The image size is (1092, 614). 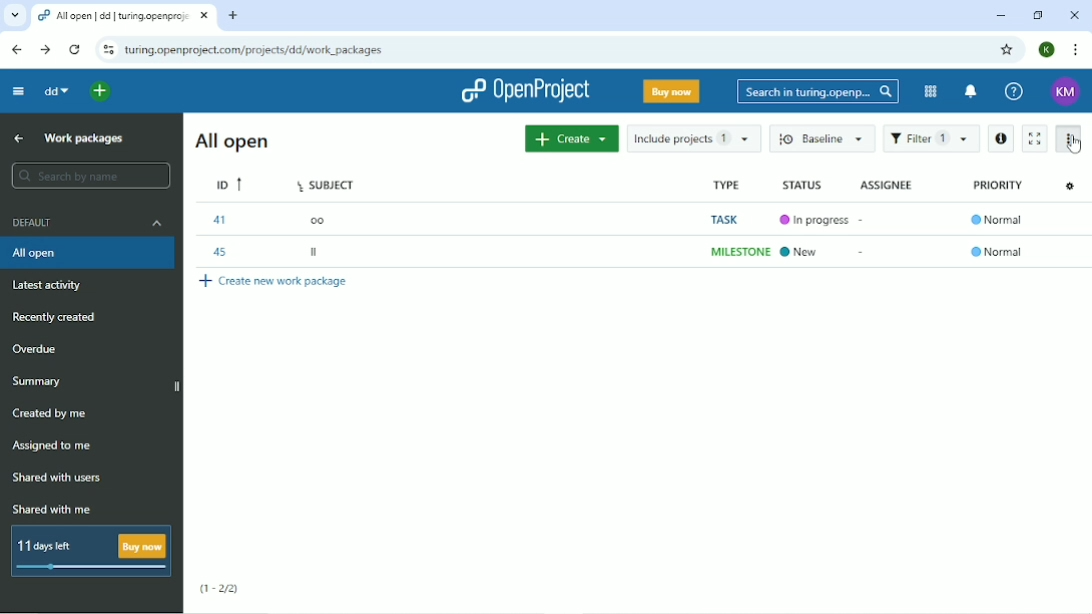 I want to click on Restore down, so click(x=1038, y=15).